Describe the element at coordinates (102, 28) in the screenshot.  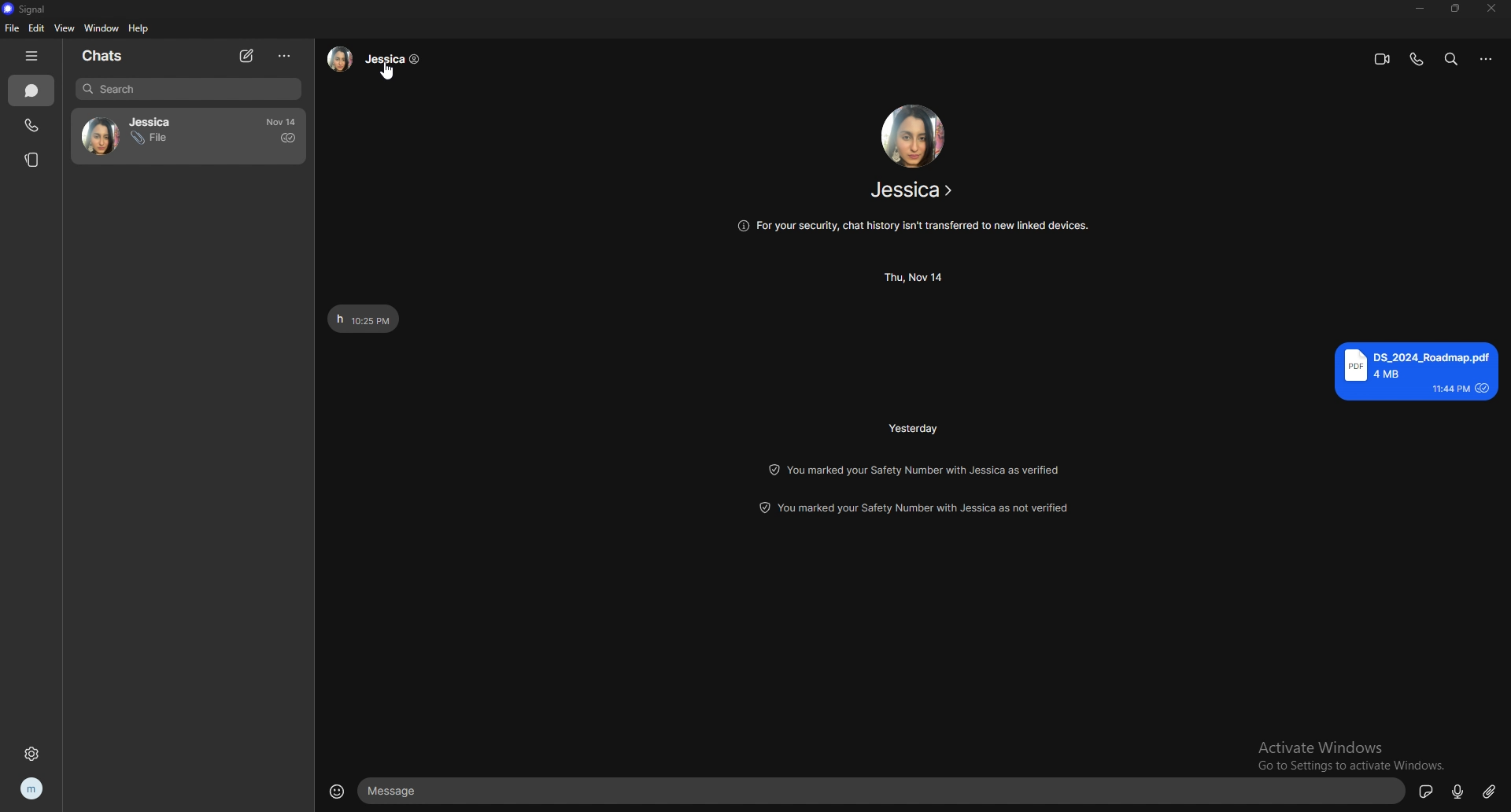
I see `window` at that location.